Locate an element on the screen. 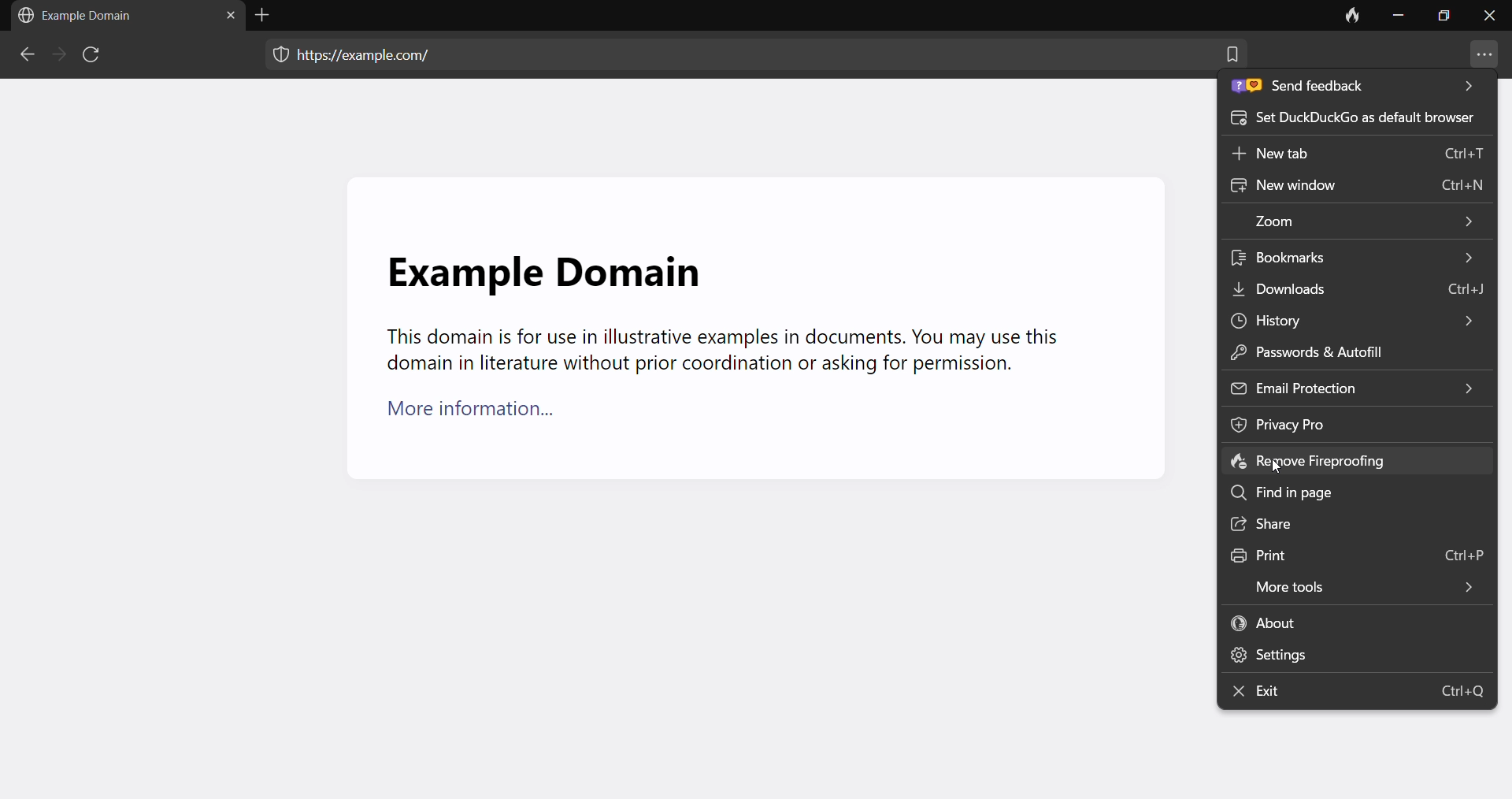 This screenshot has height=799, width=1512. send feedback is located at coordinates (1354, 90).